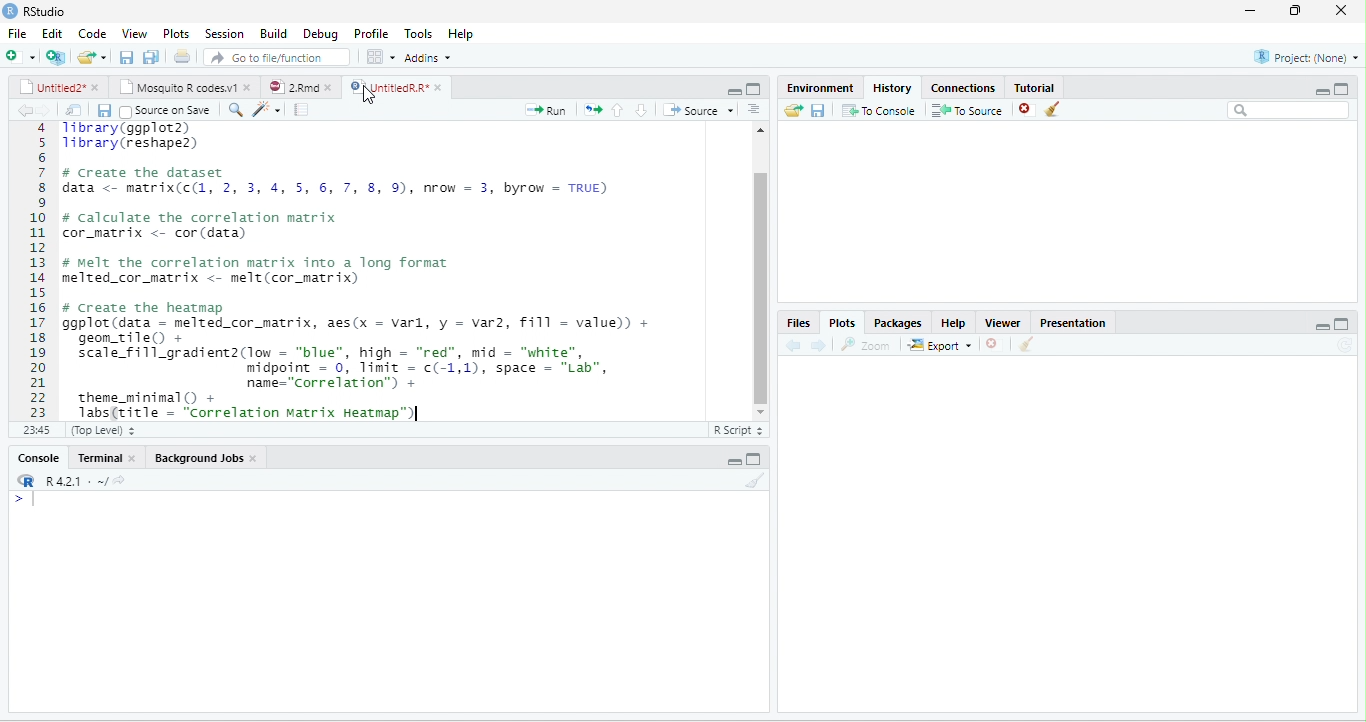  What do you see at coordinates (890, 86) in the screenshot?
I see `history` at bounding box center [890, 86].